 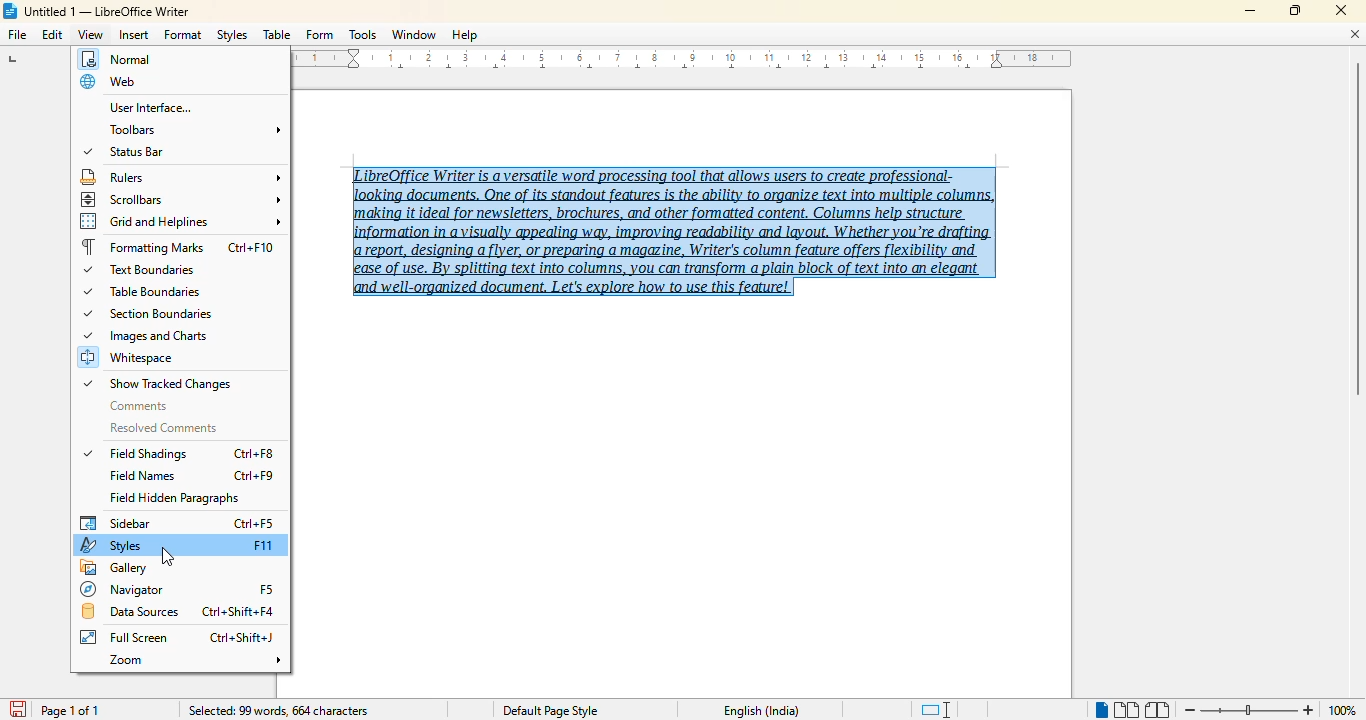 I want to click on ruler, so click(x=685, y=60).